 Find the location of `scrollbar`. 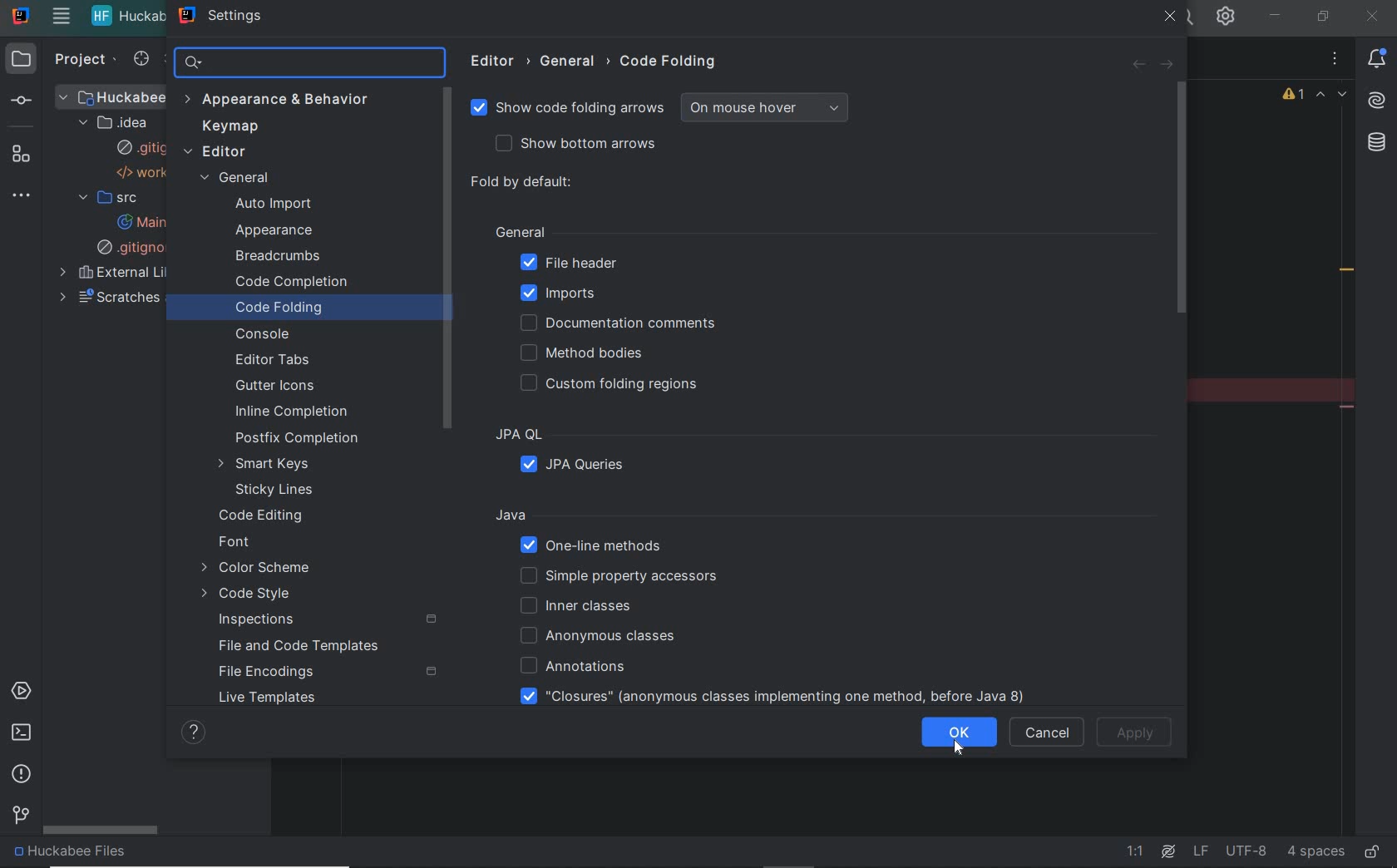

scrollbar is located at coordinates (1183, 204).